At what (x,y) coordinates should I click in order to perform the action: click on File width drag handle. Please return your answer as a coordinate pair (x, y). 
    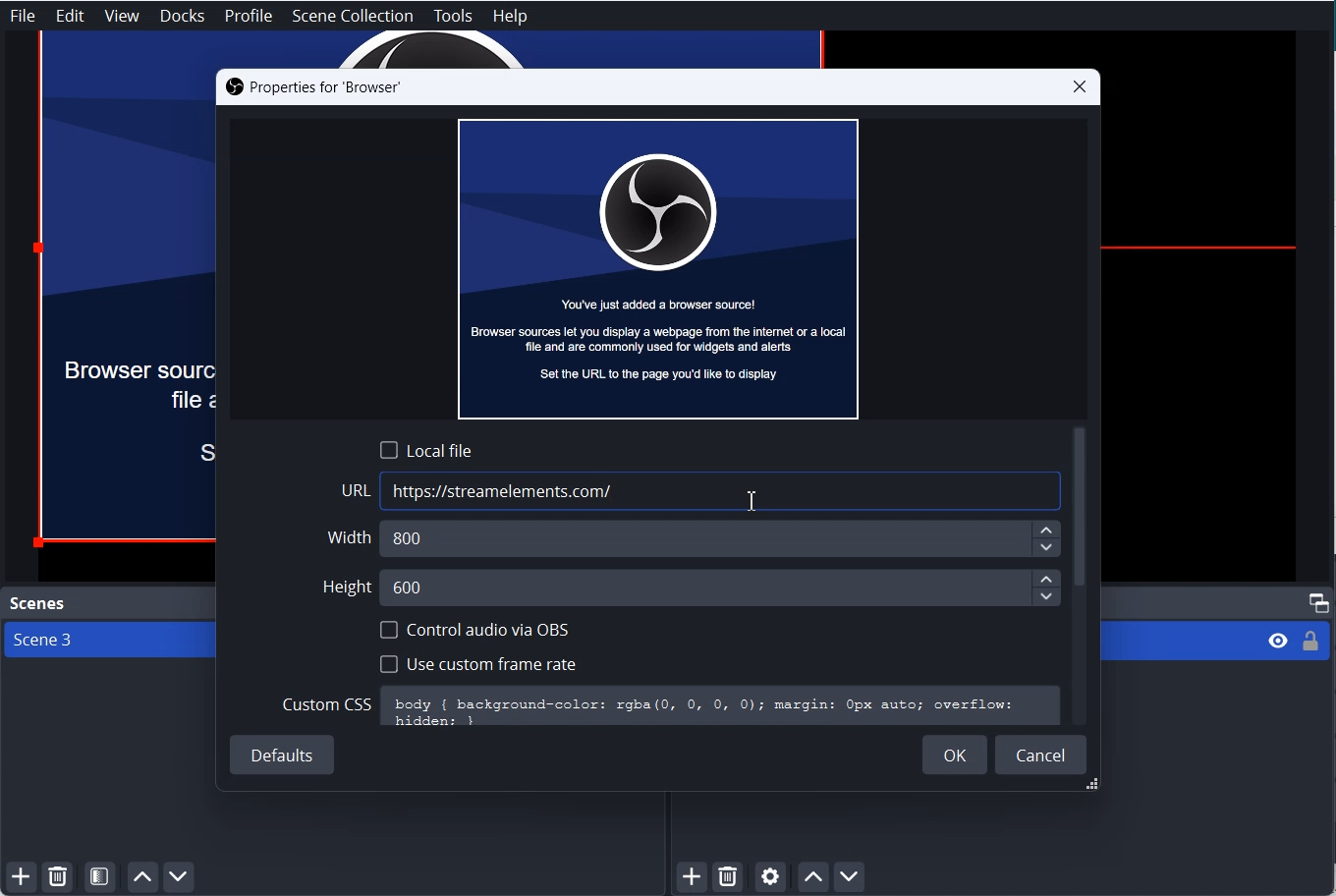
    Looking at the image, I should click on (1094, 786).